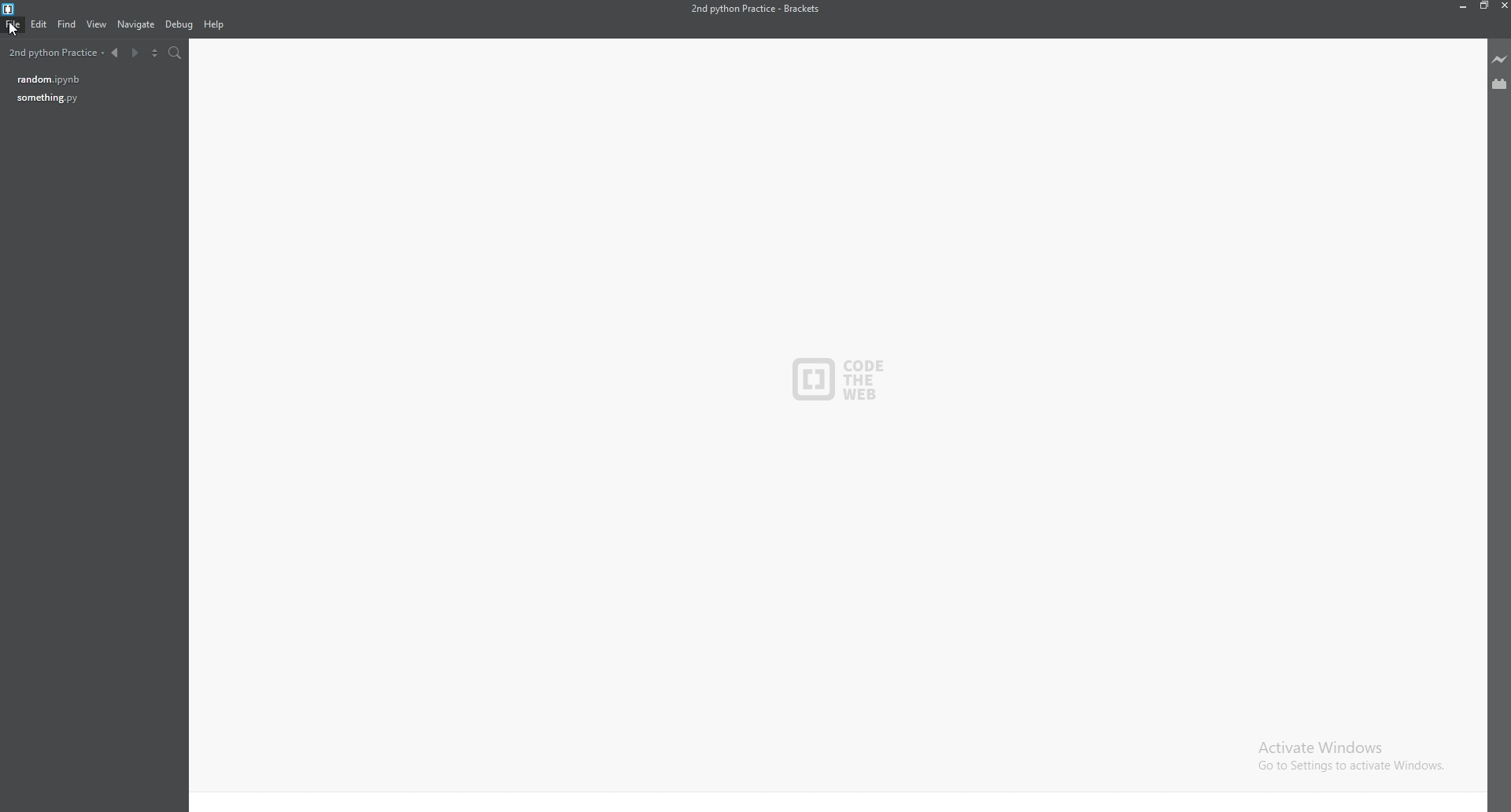 Image resolution: width=1511 pixels, height=812 pixels. I want to click on view, so click(96, 24).